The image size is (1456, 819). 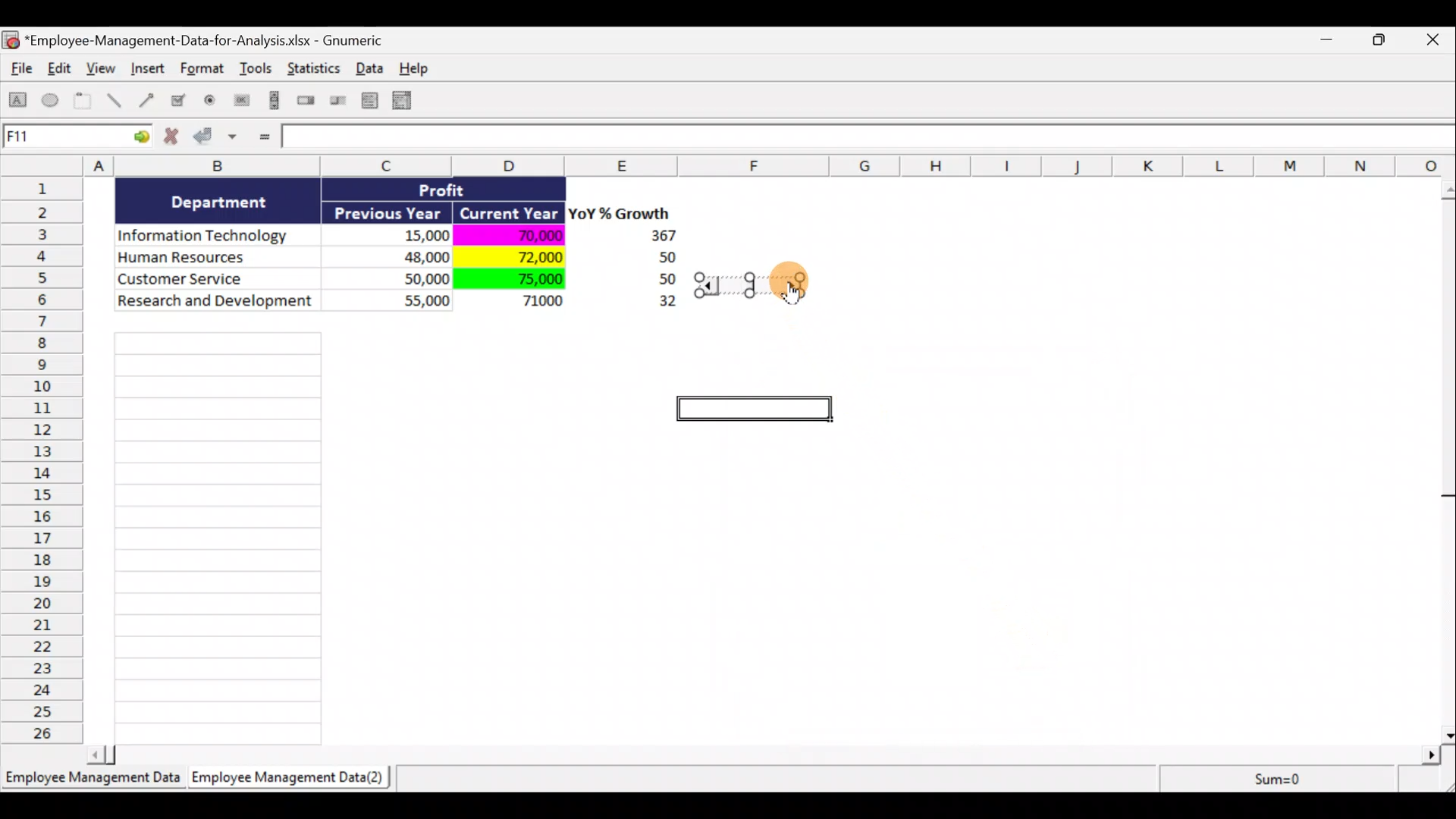 What do you see at coordinates (146, 99) in the screenshot?
I see `Create an arrow object` at bounding box center [146, 99].